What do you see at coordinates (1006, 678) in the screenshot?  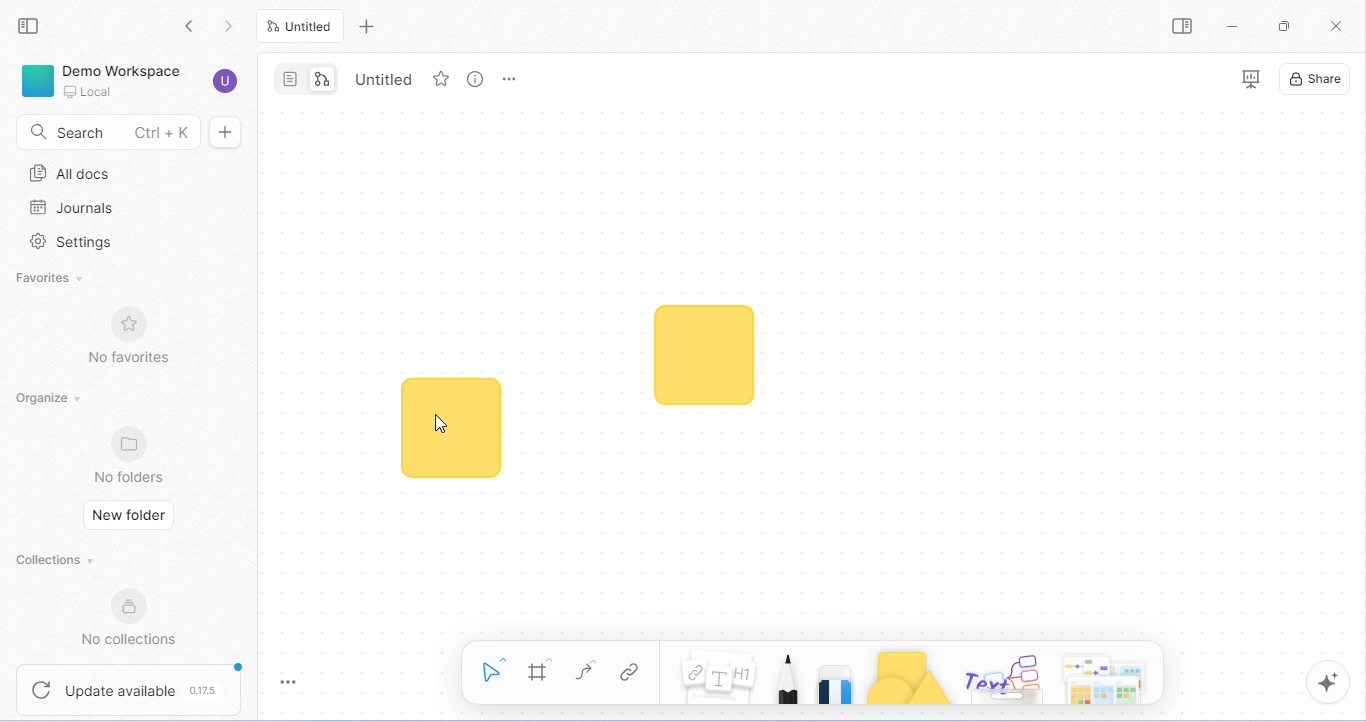 I see `others` at bounding box center [1006, 678].